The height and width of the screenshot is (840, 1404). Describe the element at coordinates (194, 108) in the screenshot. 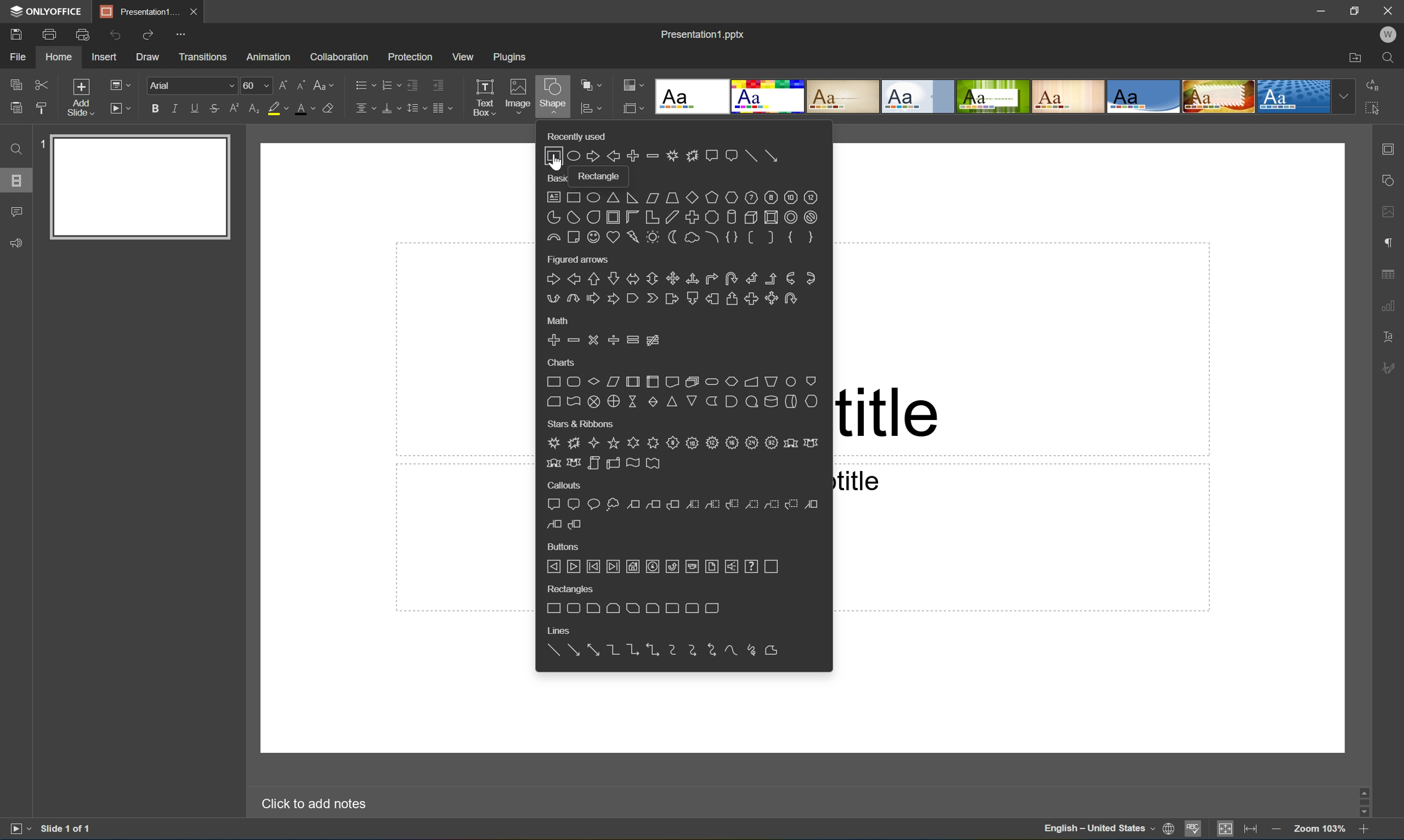

I see `Underline` at that location.